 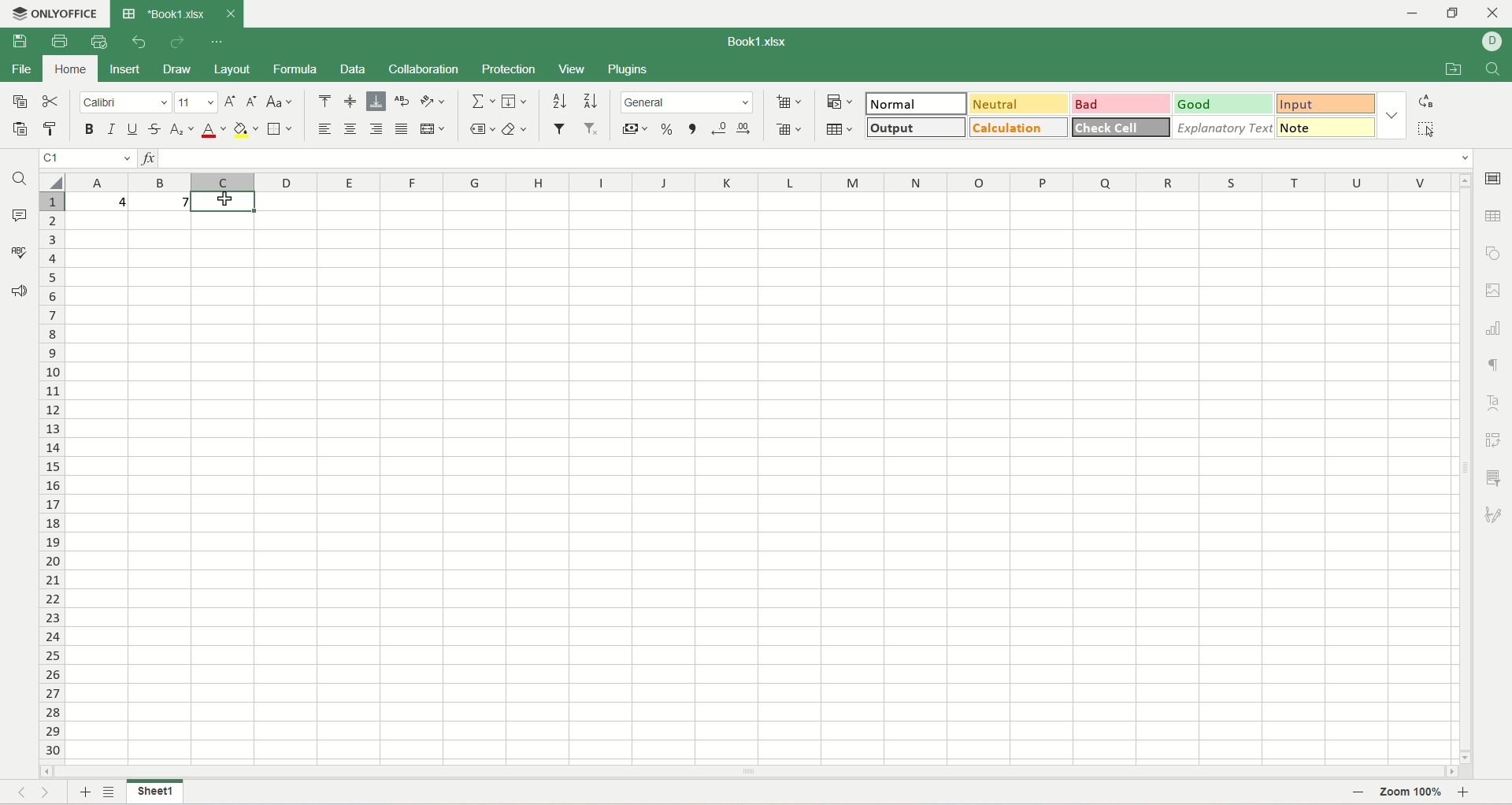 I want to click on Book1.xlsx, so click(x=176, y=13).